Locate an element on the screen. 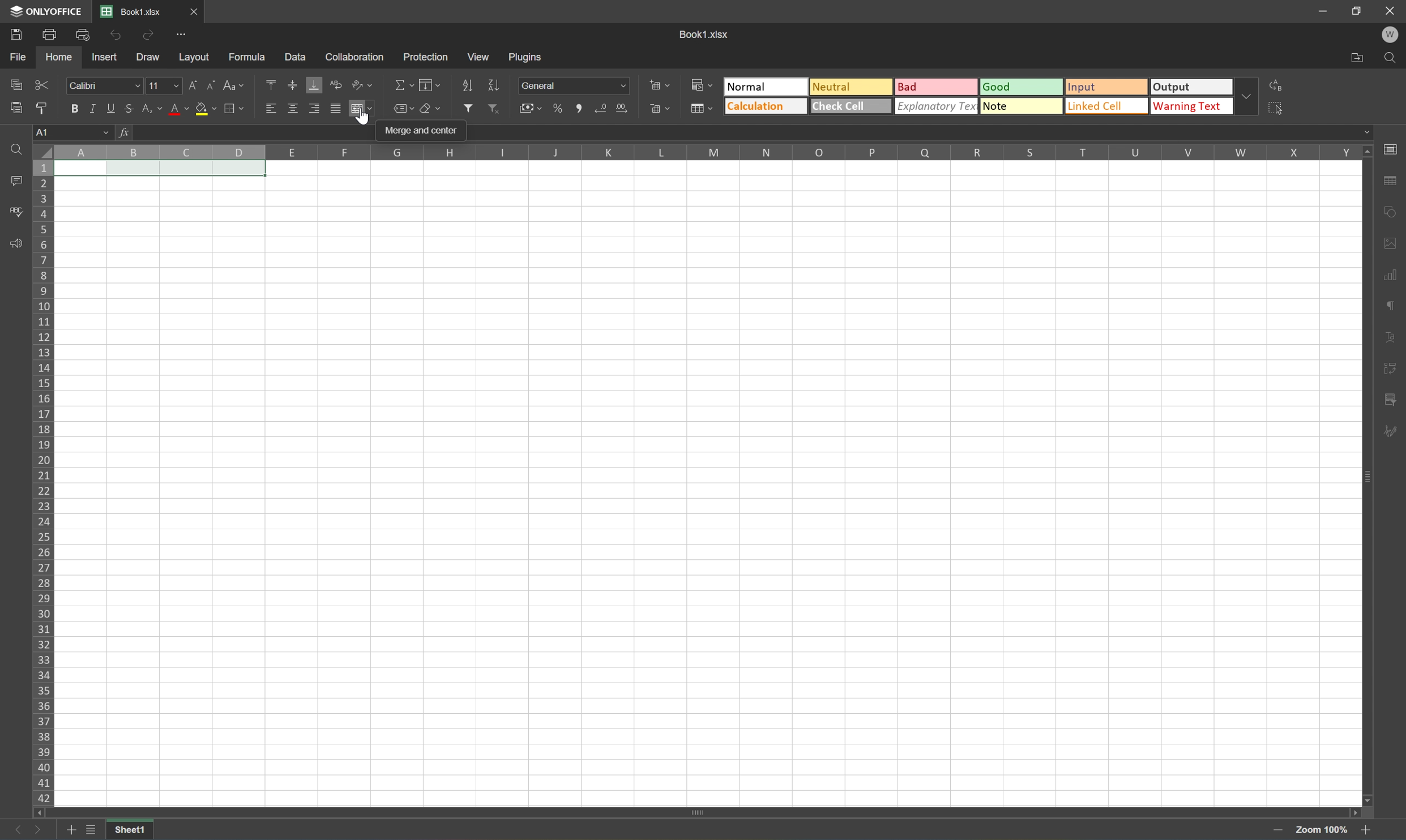  Justified is located at coordinates (336, 109).